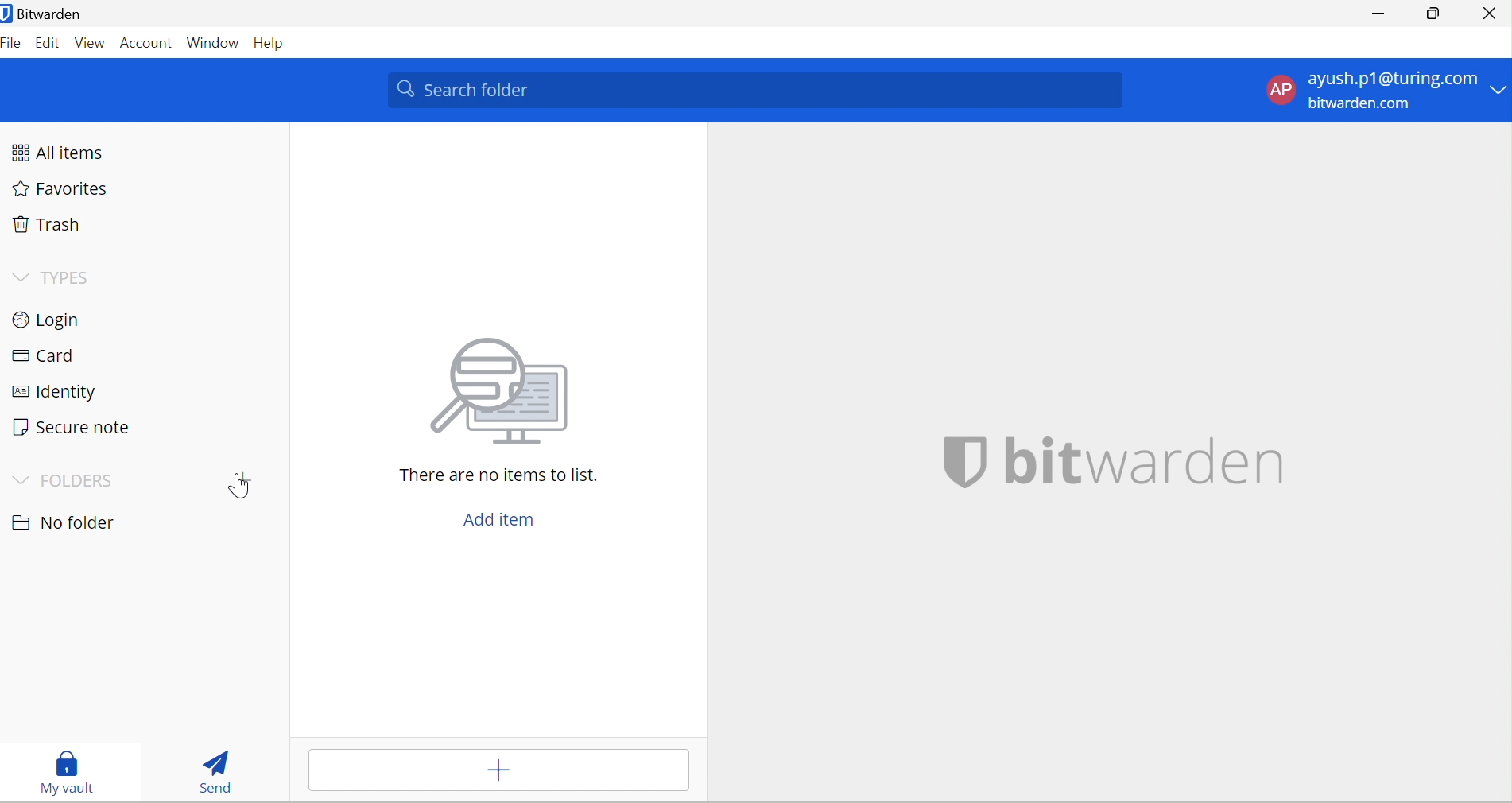  What do you see at coordinates (54, 321) in the screenshot?
I see `Login` at bounding box center [54, 321].